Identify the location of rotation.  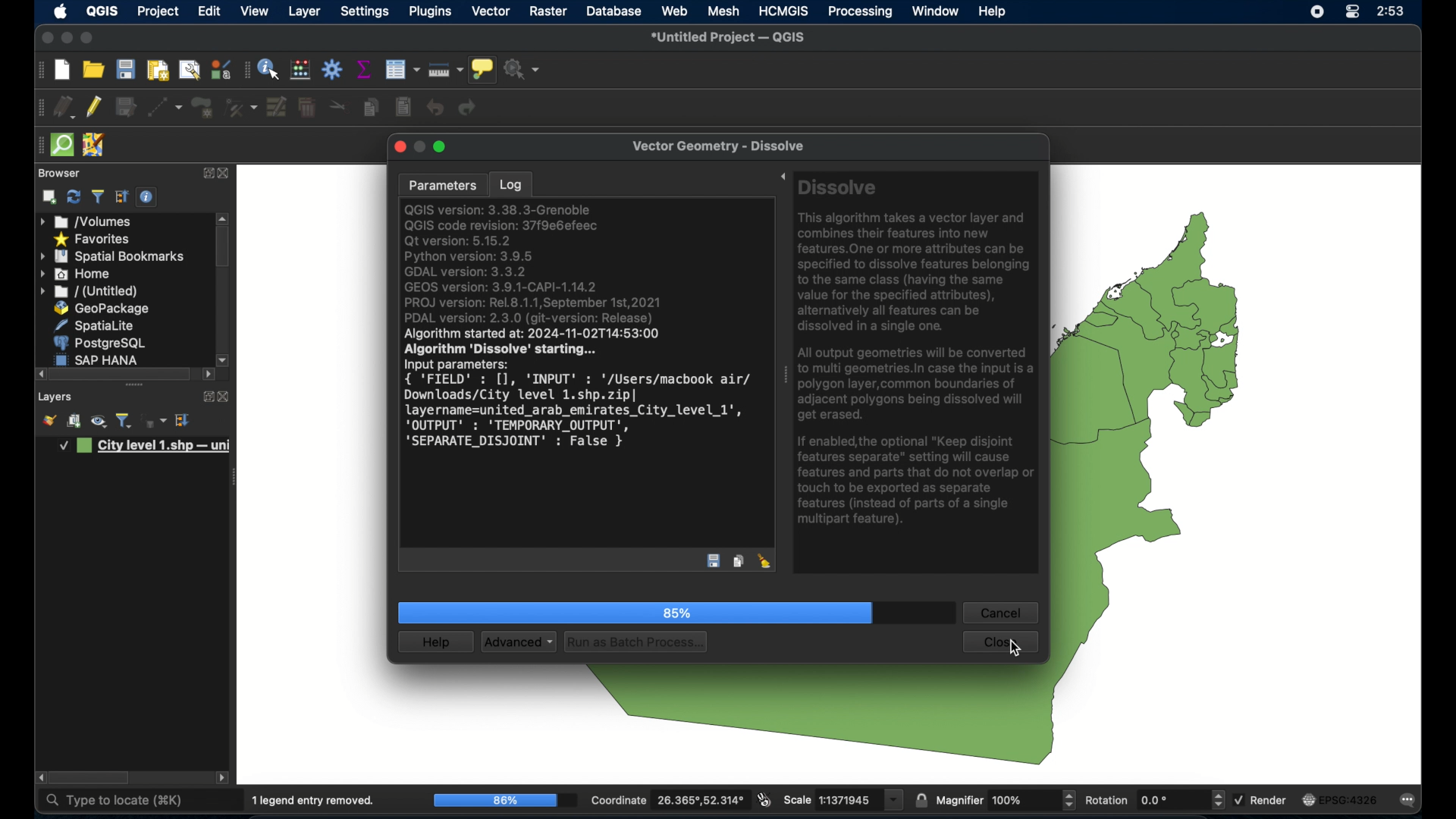
(1153, 800).